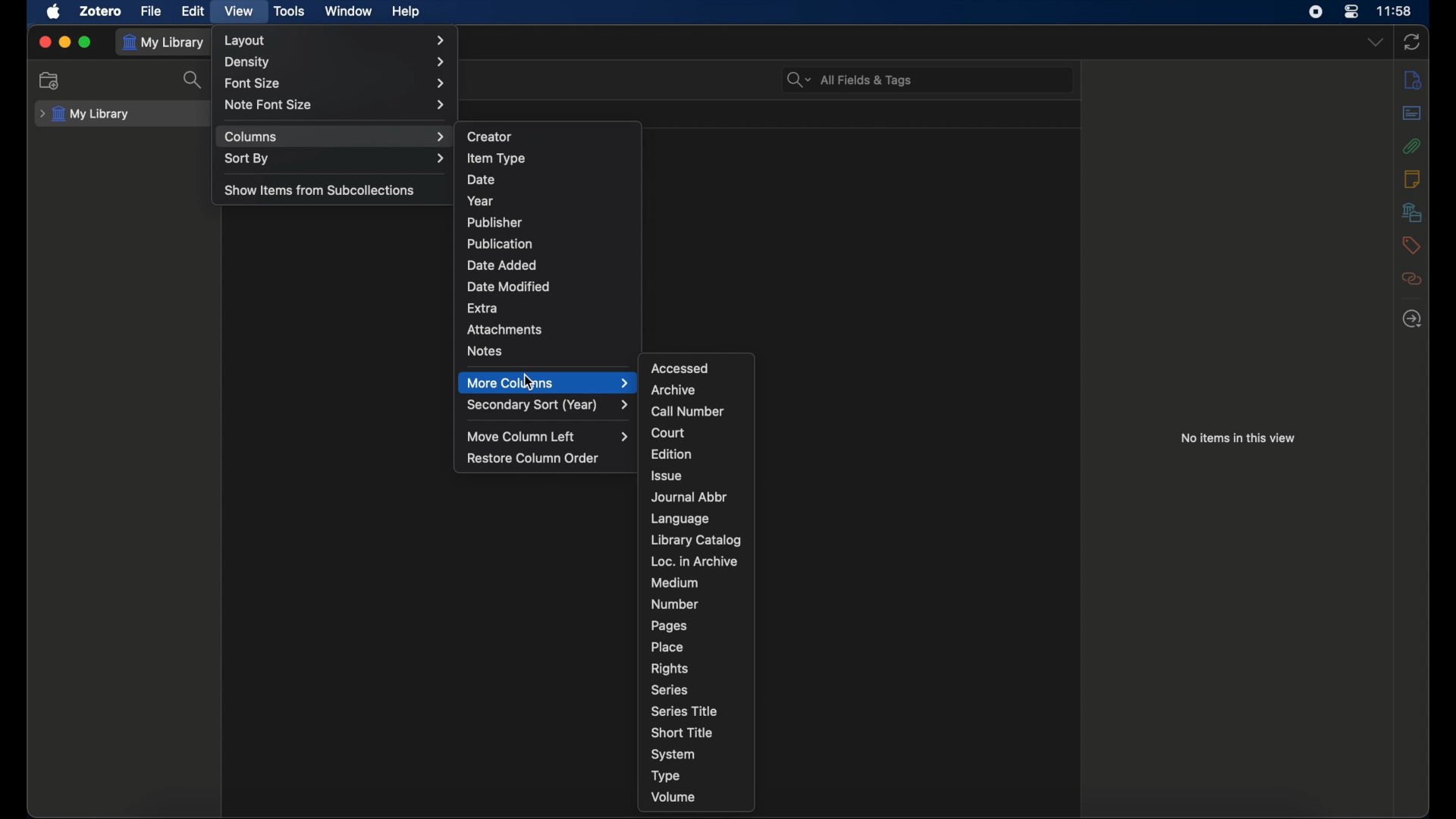 This screenshot has width=1456, height=819. I want to click on sort by, so click(334, 158).